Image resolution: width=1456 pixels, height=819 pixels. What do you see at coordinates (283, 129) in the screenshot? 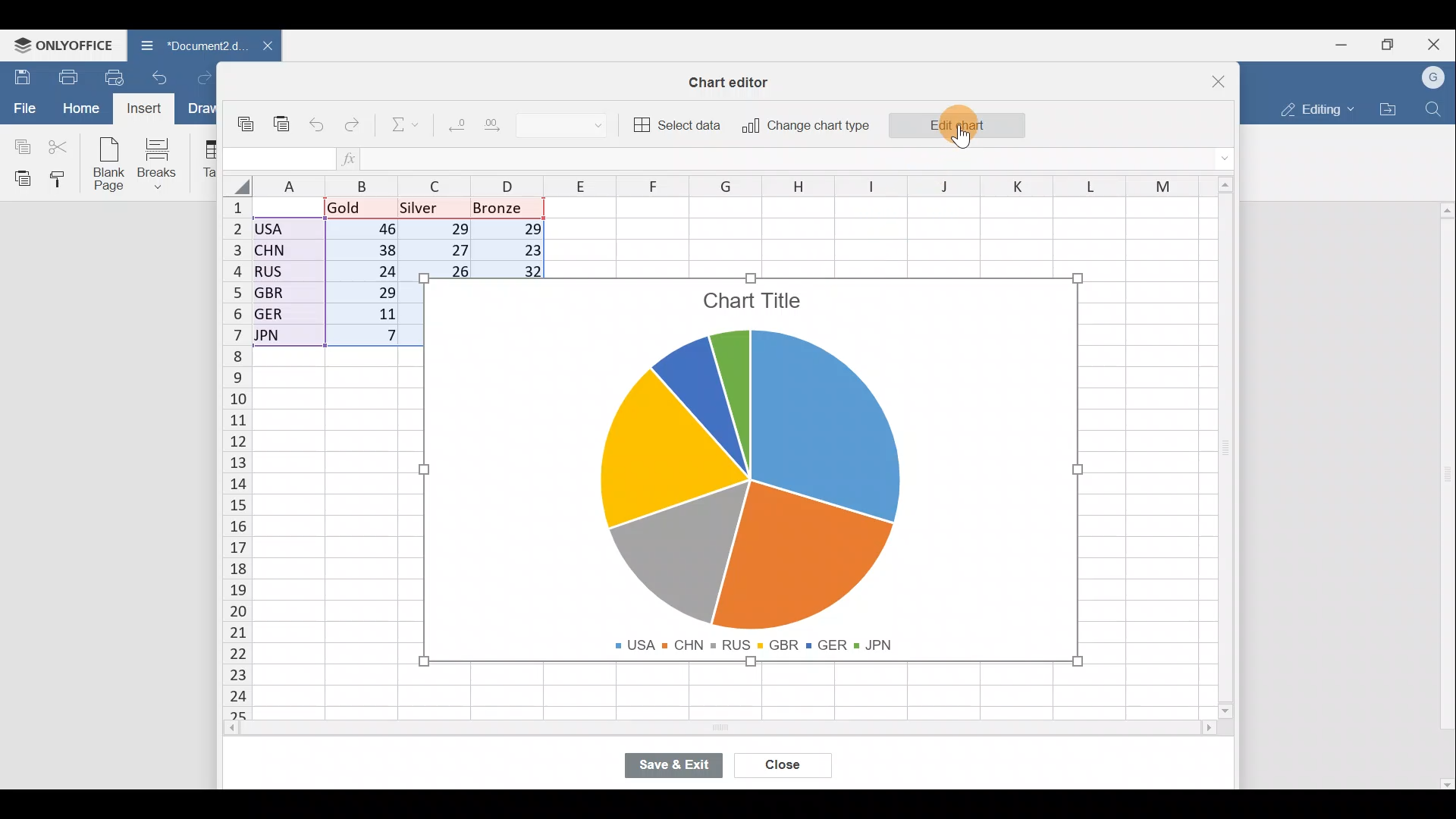
I see `Paste` at bounding box center [283, 129].